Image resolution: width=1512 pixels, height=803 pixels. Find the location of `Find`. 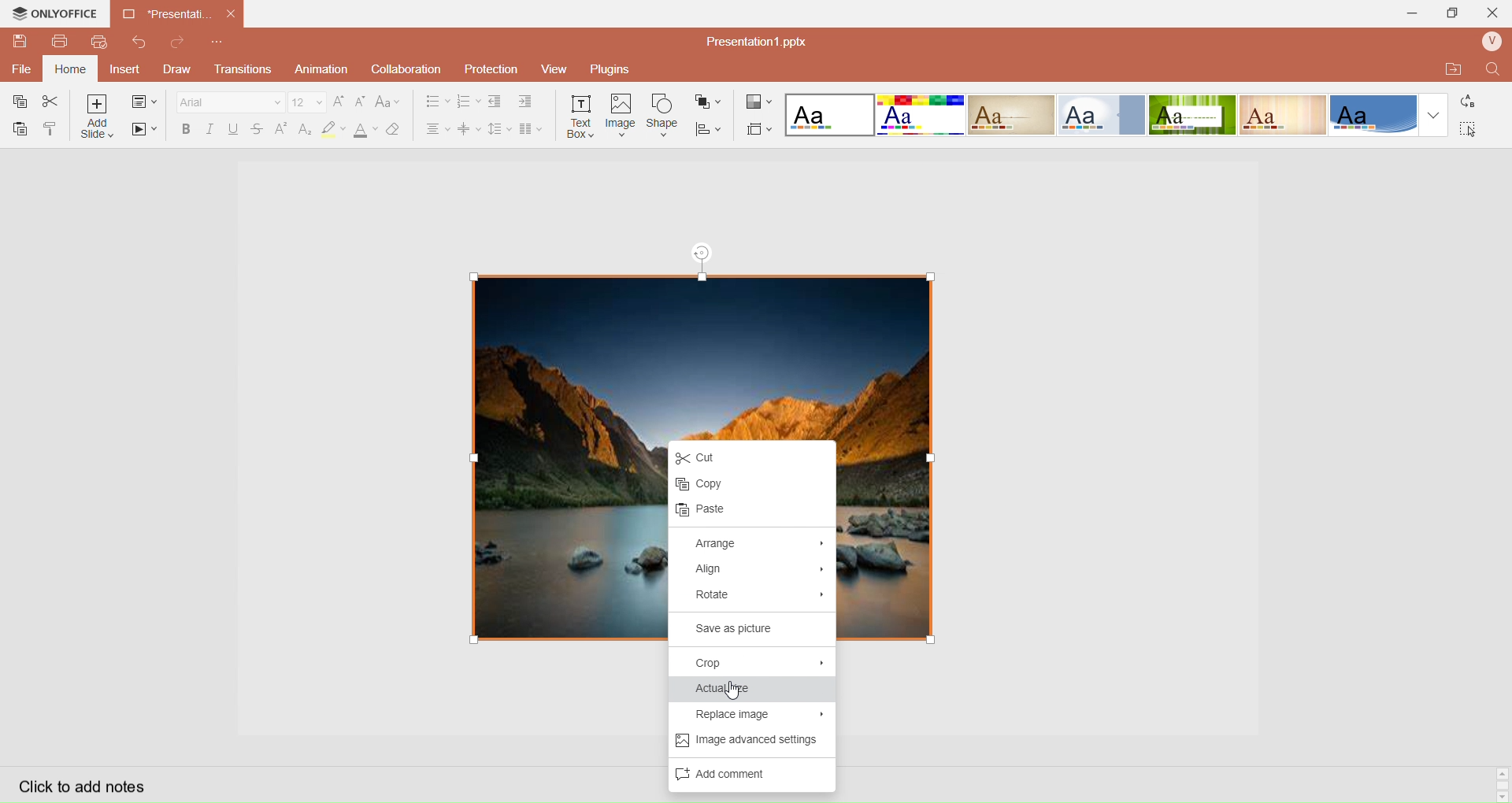

Find is located at coordinates (1495, 71).